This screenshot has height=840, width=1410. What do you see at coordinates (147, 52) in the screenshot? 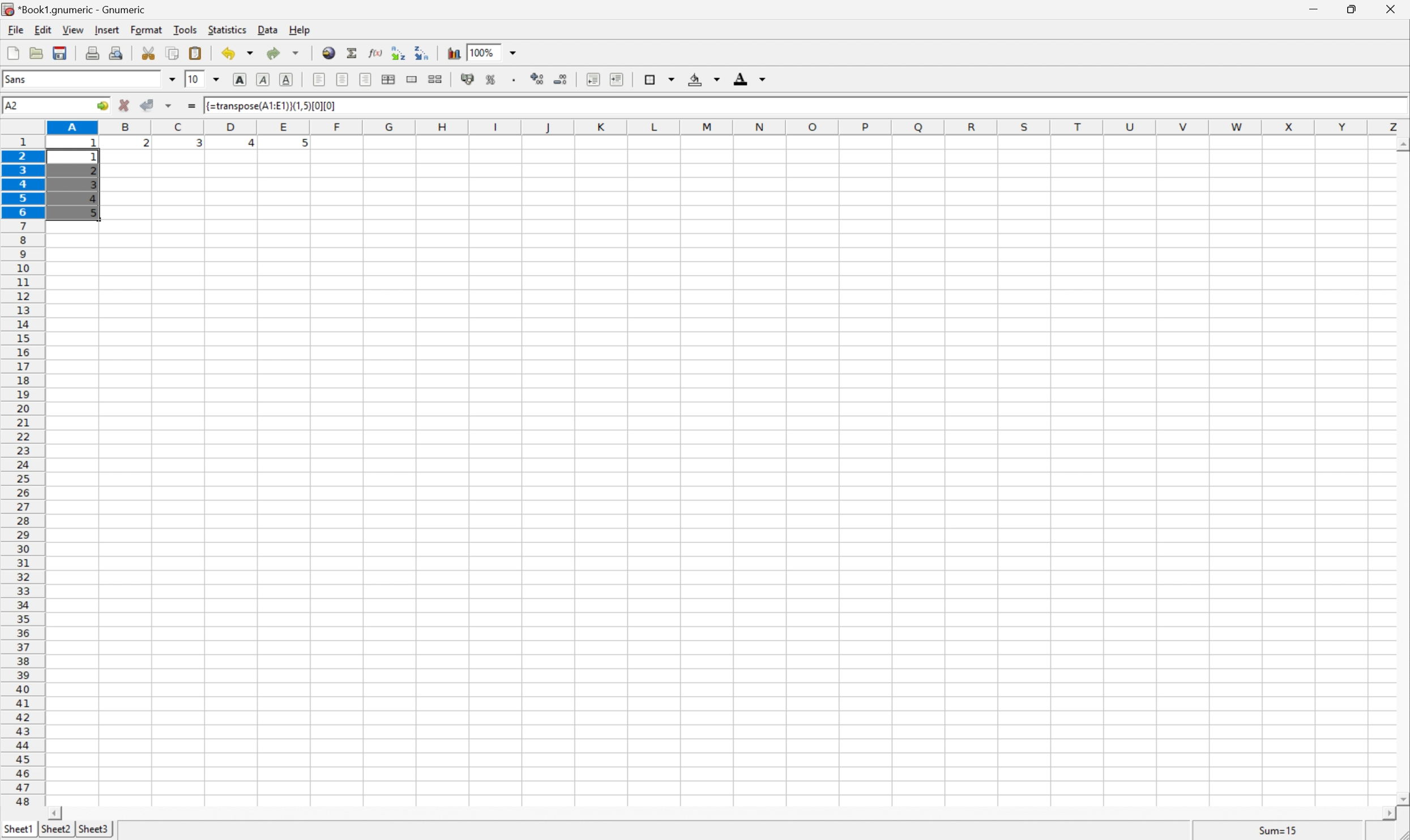
I see `cut` at bounding box center [147, 52].